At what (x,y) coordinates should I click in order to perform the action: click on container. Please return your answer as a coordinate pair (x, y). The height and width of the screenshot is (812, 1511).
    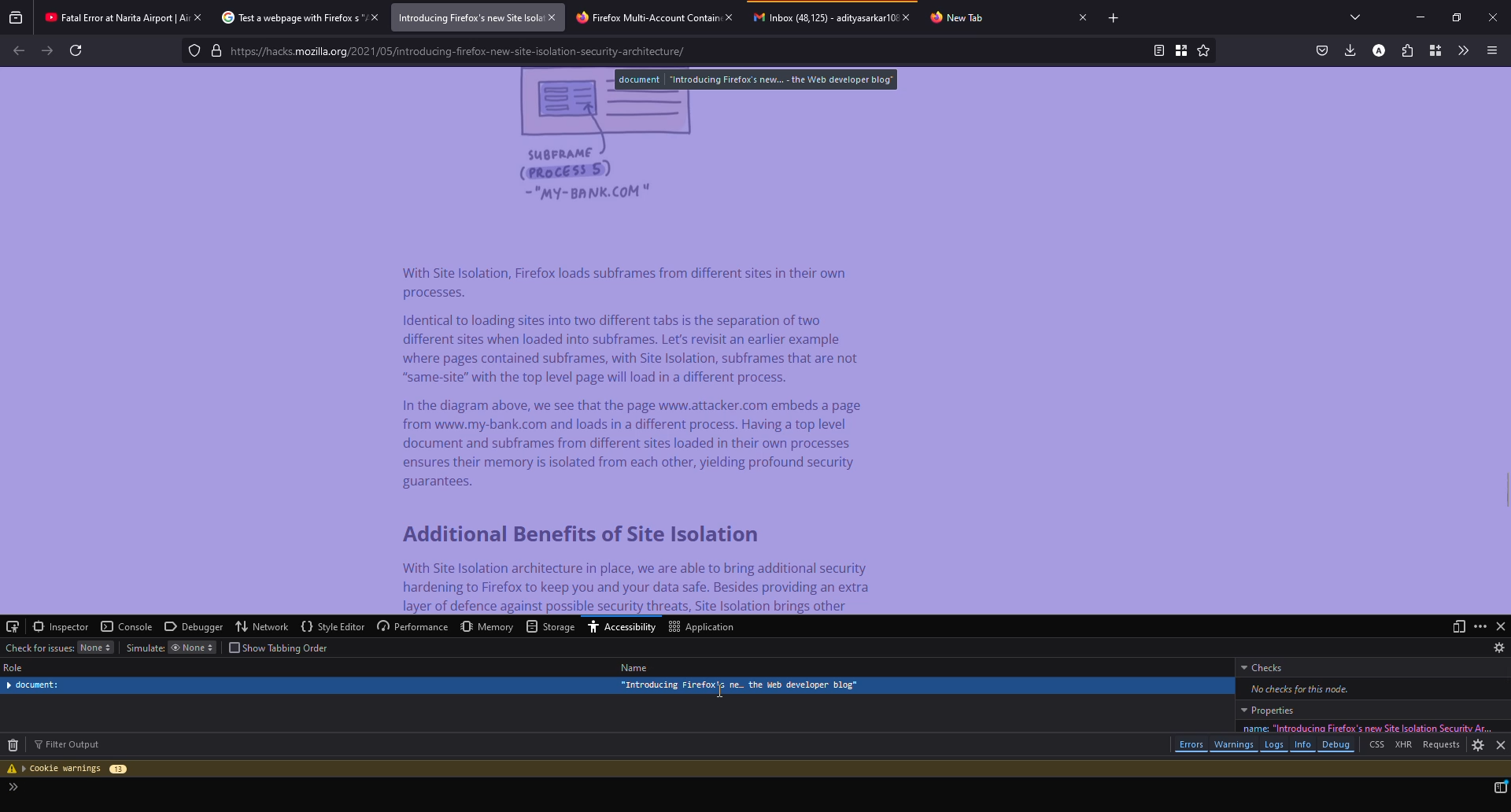
    Looking at the image, I should click on (1435, 50).